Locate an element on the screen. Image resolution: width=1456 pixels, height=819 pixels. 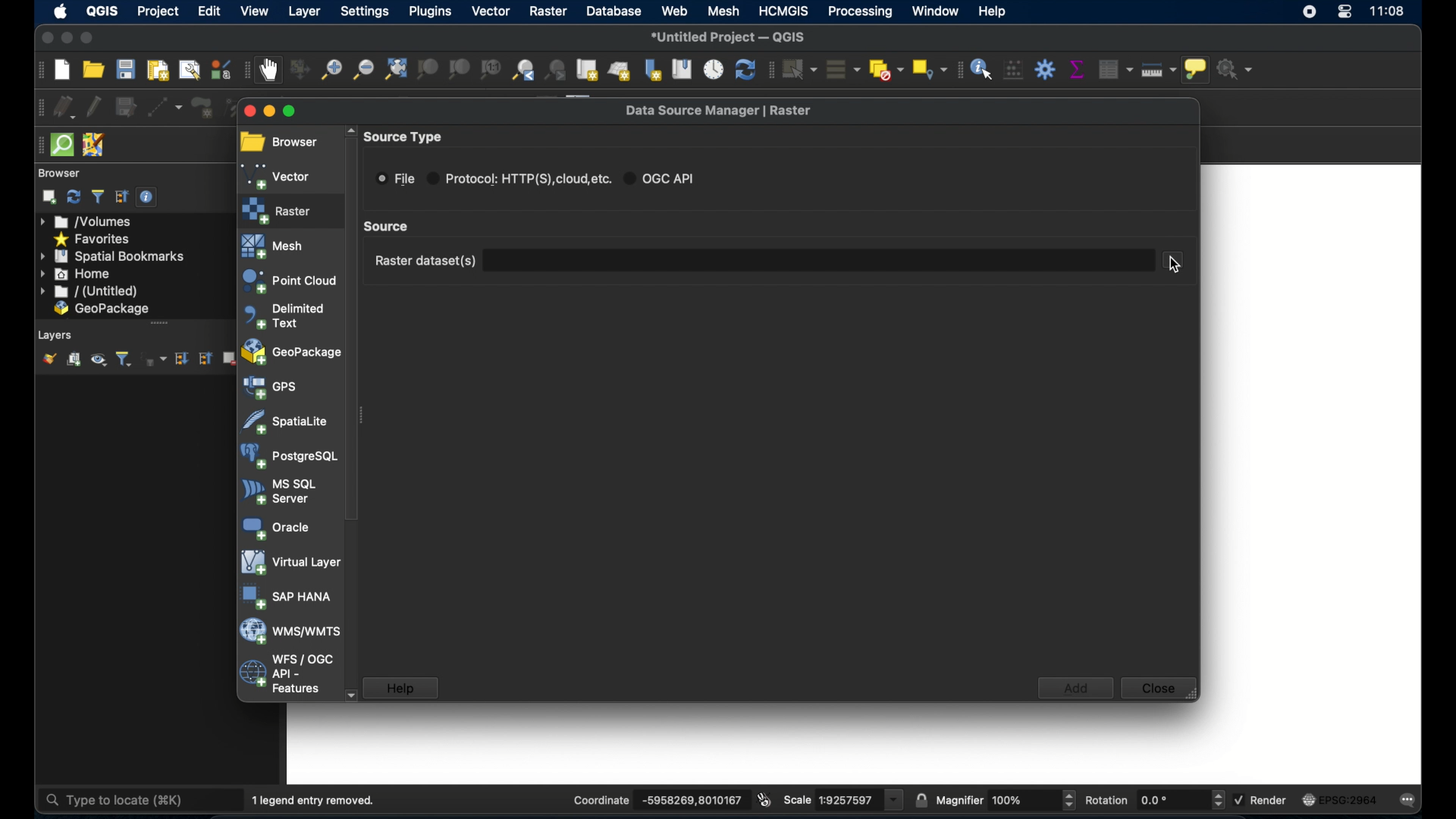
type to locate is located at coordinates (118, 799).